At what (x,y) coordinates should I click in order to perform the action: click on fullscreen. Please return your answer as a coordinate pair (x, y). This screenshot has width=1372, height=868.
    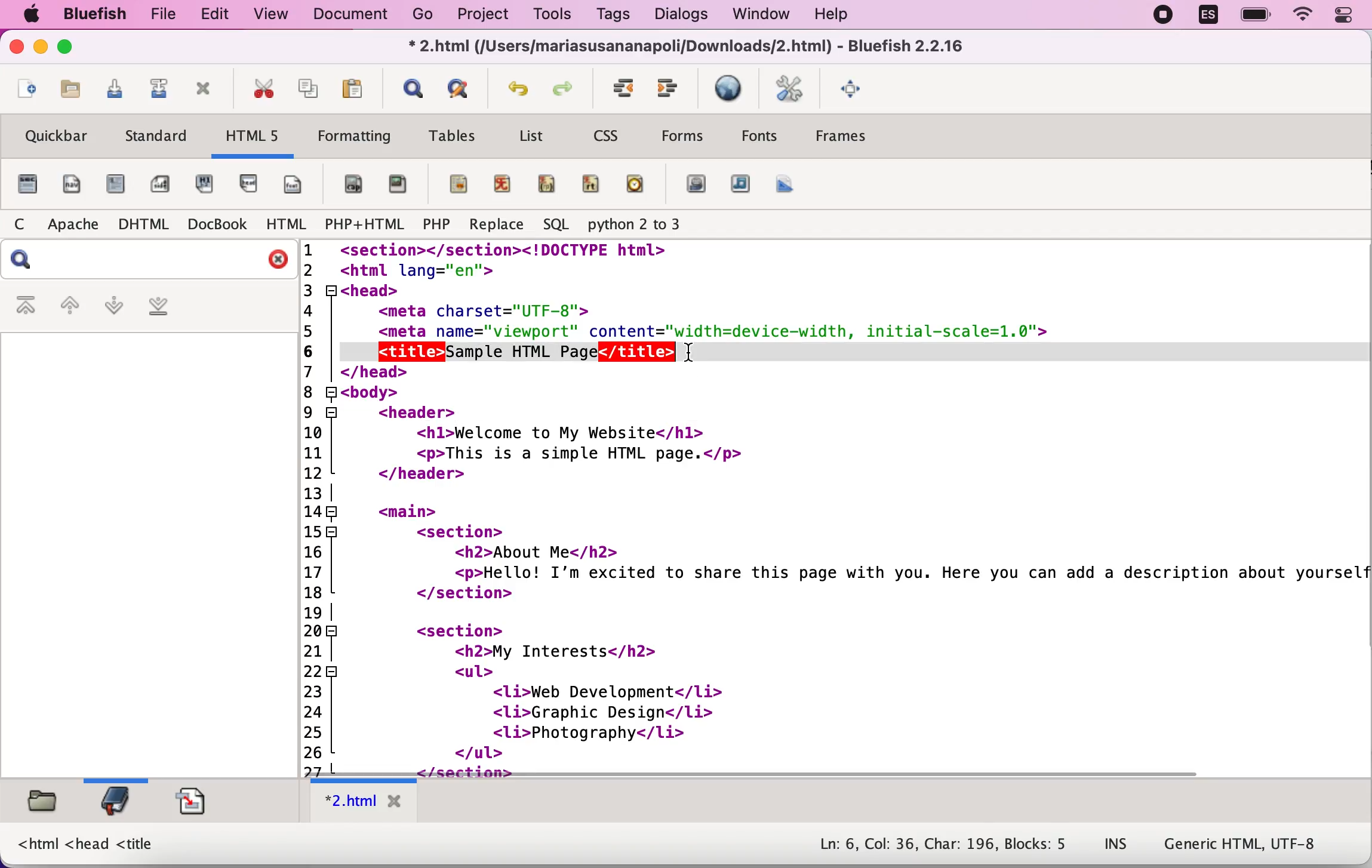
    Looking at the image, I should click on (859, 89).